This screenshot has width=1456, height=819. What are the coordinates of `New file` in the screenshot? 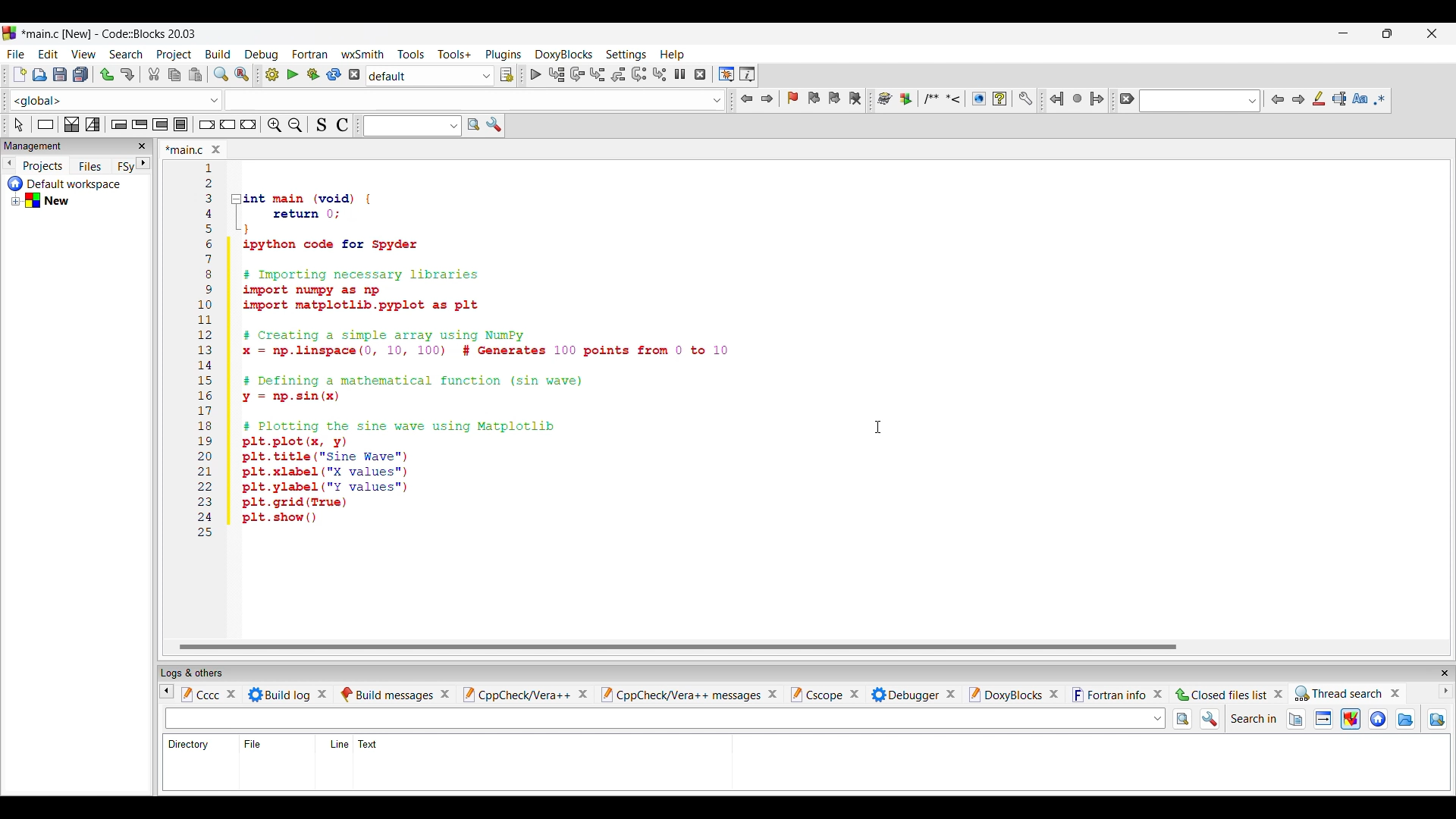 It's located at (19, 74).